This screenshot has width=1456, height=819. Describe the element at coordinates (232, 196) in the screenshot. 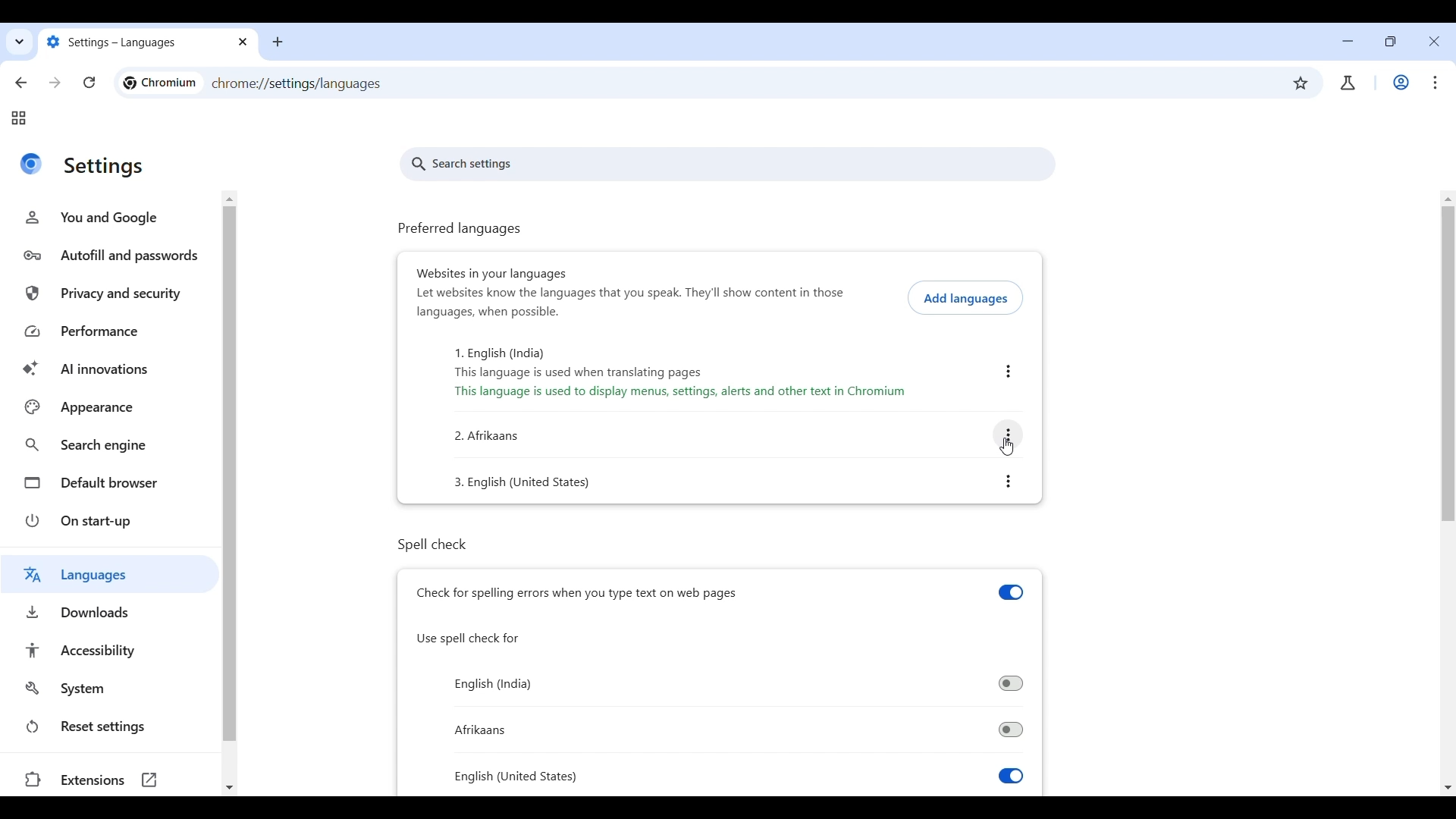

I see `Quick slide to top` at that location.